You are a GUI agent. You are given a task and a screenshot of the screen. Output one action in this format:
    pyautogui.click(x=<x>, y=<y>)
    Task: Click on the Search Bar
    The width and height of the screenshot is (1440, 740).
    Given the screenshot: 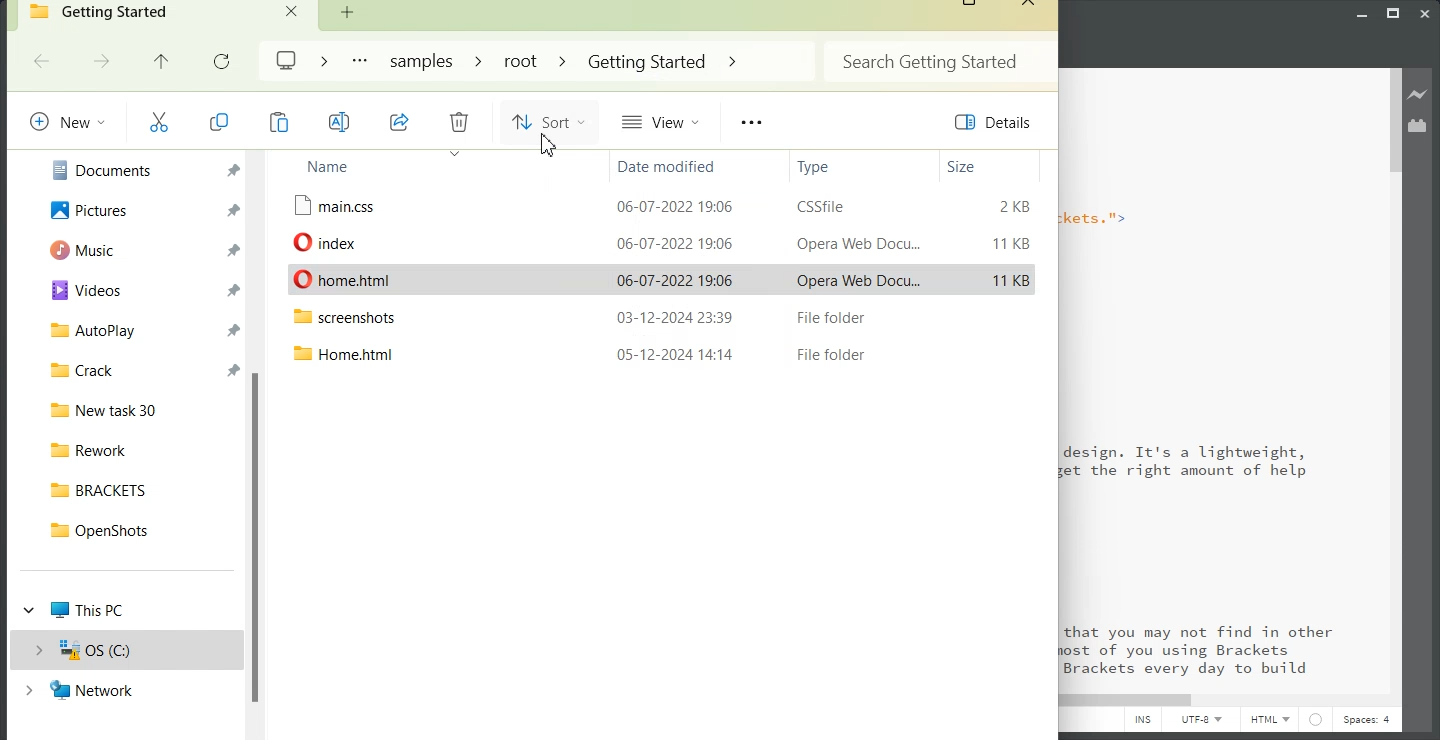 What is the action you would take?
    pyautogui.click(x=938, y=60)
    